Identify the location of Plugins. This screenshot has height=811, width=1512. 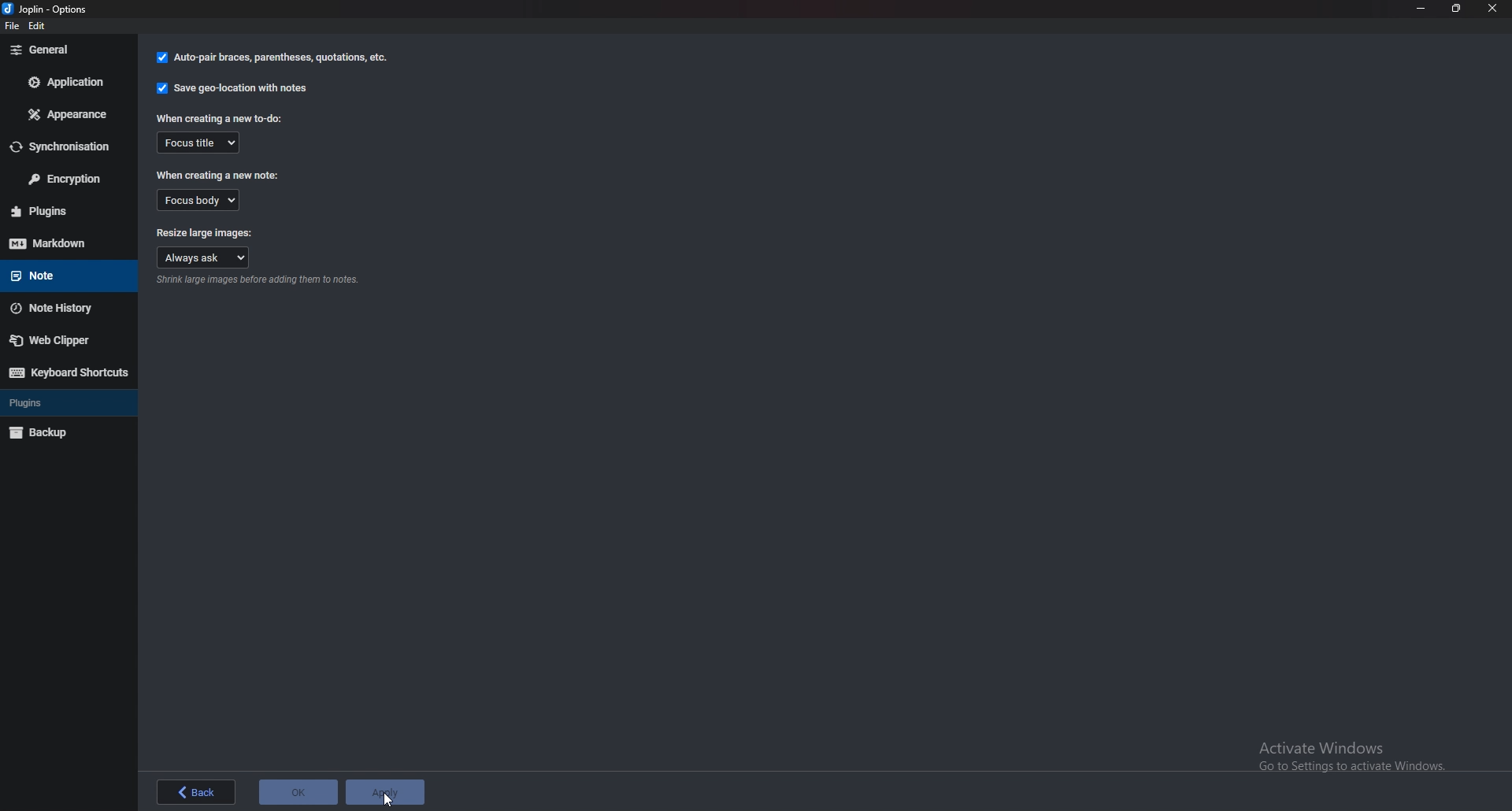
(62, 402).